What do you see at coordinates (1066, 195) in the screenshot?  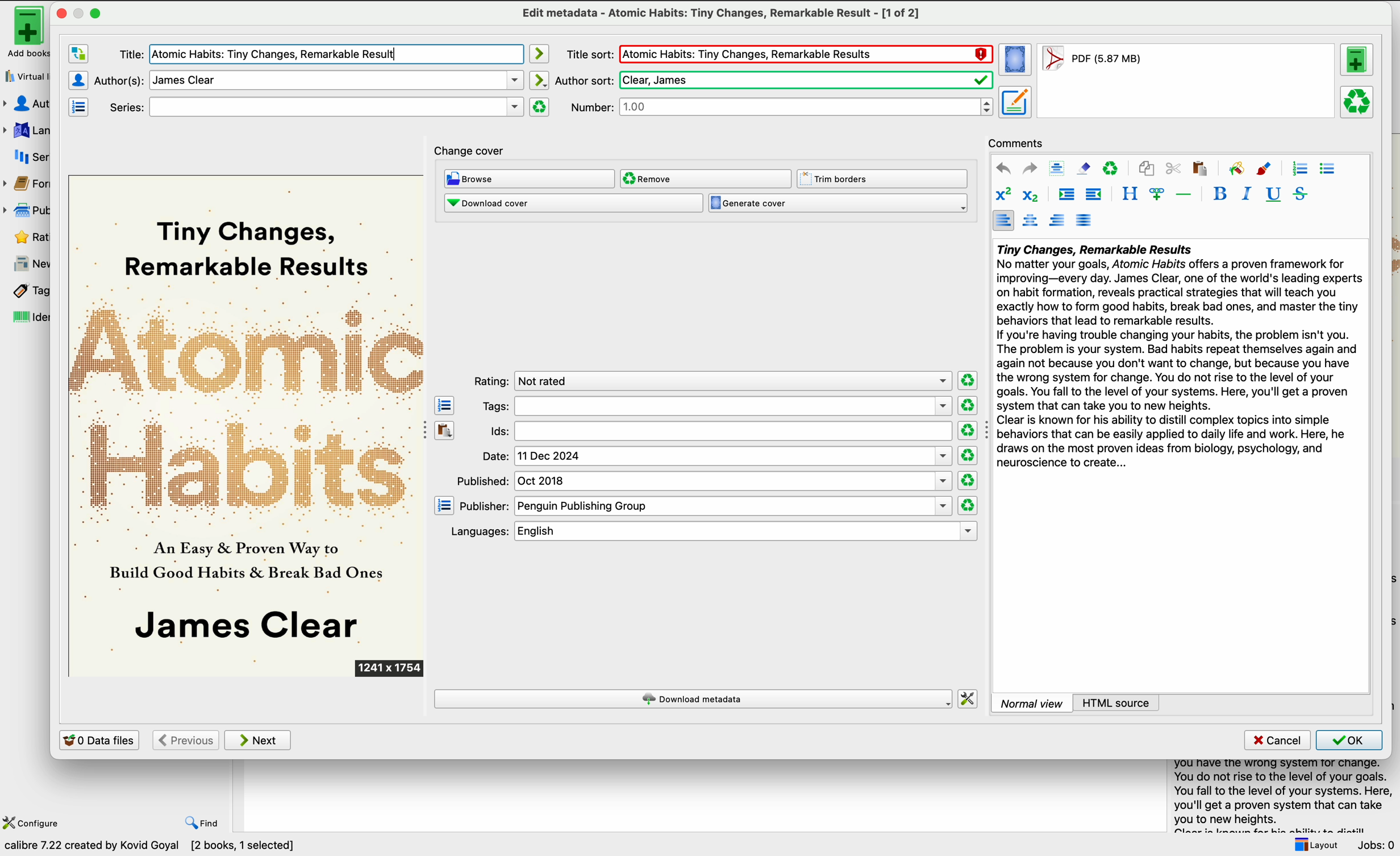 I see `increase indentation` at bounding box center [1066, 195].